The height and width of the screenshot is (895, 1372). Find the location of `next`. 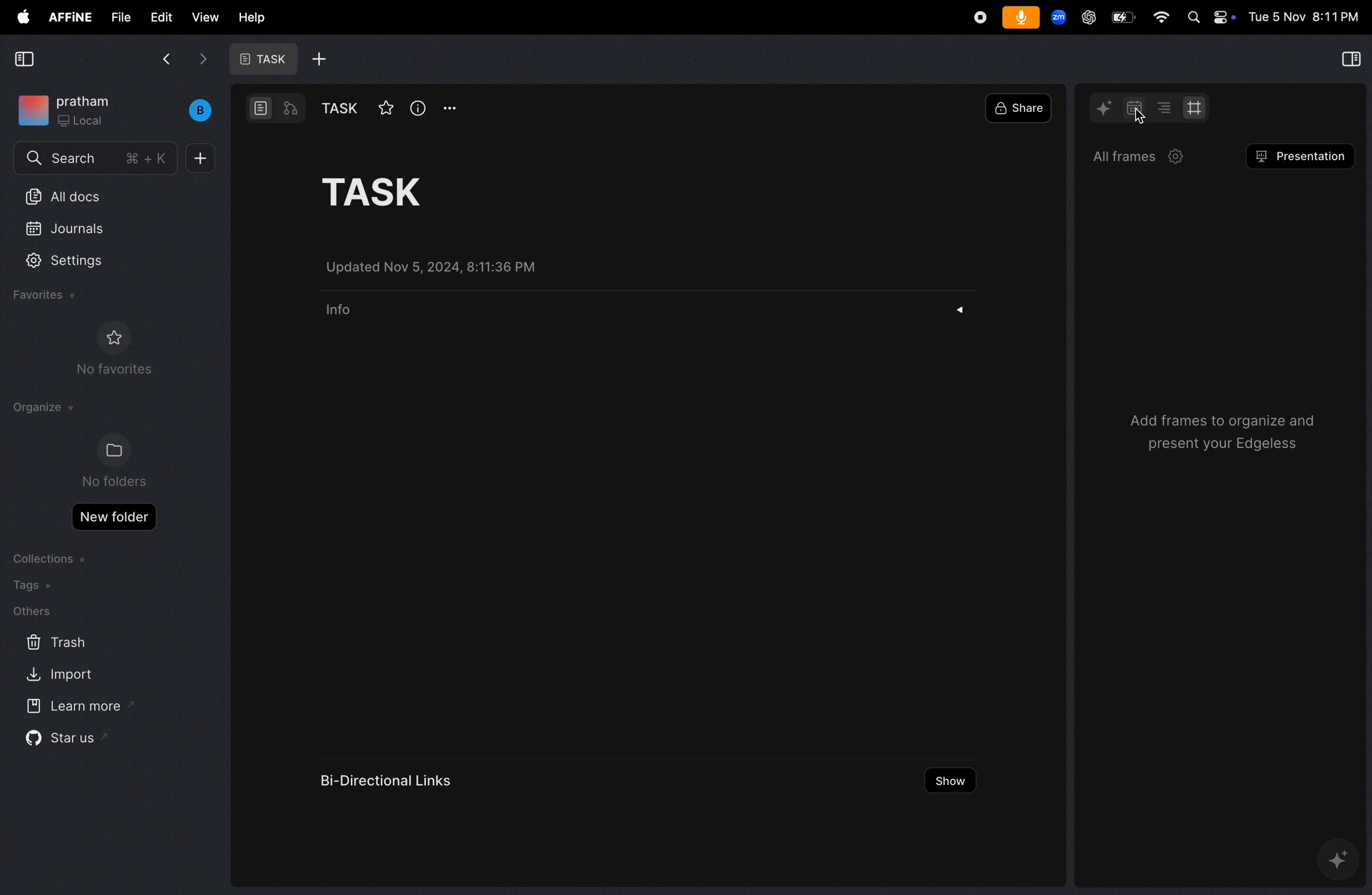

next is located at coordinates (205, 60).